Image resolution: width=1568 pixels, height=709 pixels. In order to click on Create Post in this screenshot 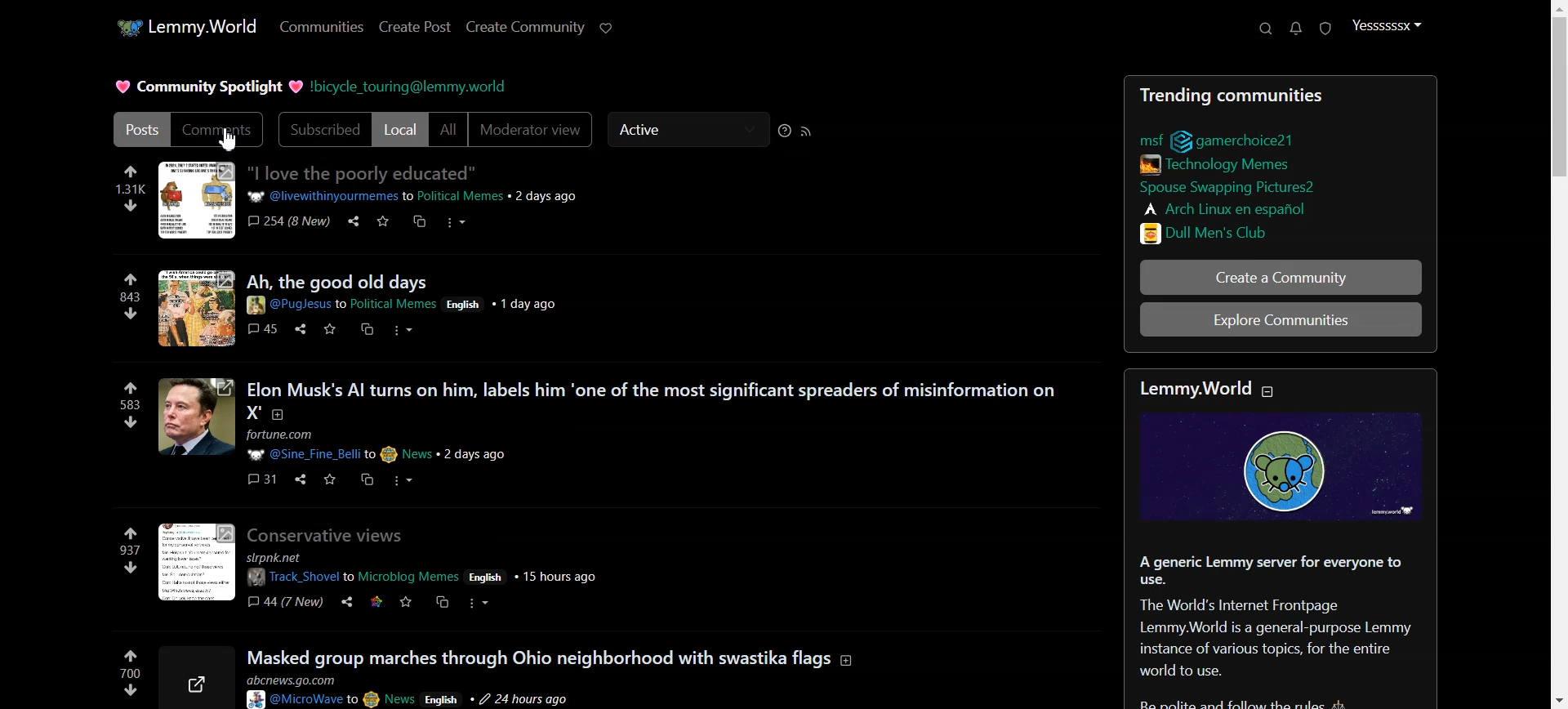, I will do `click(415, 26)`.